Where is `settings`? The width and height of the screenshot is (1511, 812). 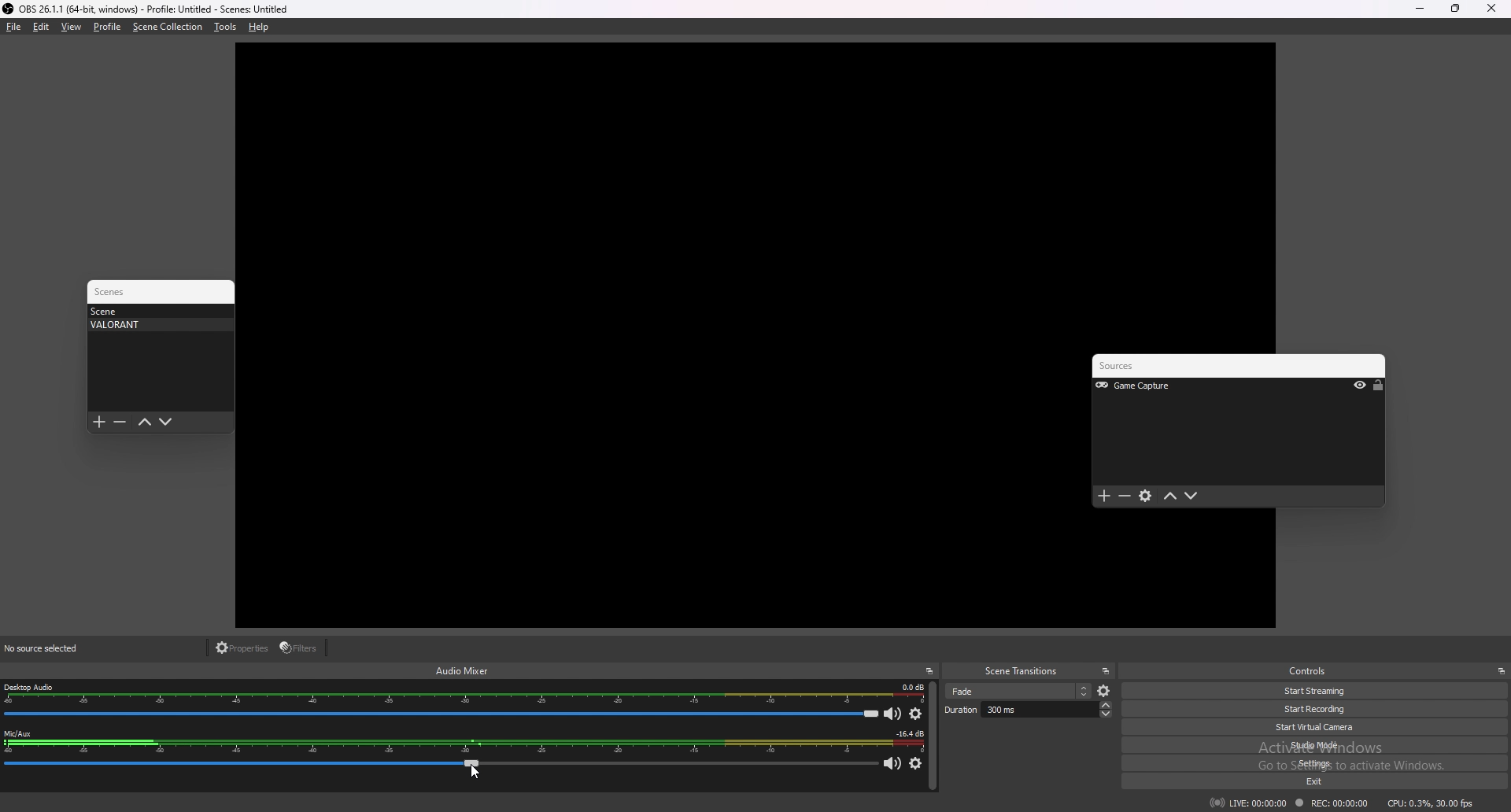 settings is located at coordinates (1147, 497).